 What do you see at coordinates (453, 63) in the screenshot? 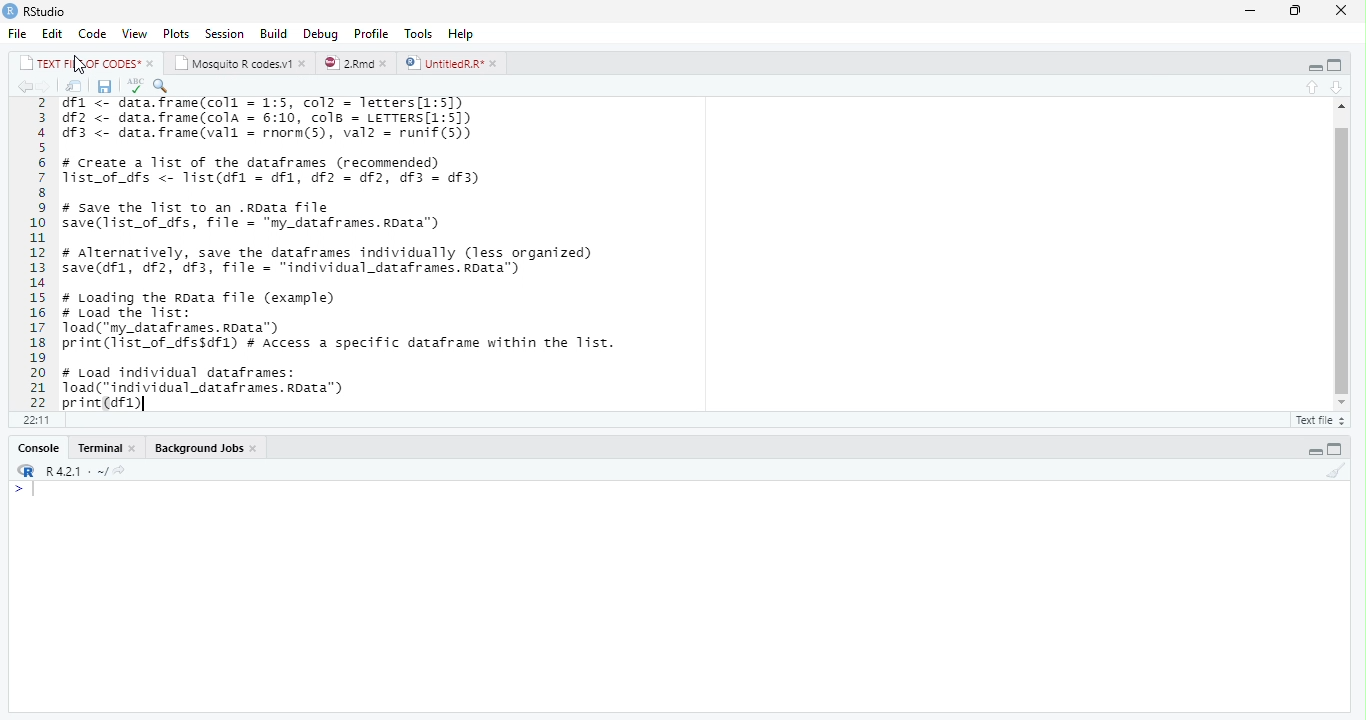
I see `UntitiedR.R` at bounding box center [453, 63].